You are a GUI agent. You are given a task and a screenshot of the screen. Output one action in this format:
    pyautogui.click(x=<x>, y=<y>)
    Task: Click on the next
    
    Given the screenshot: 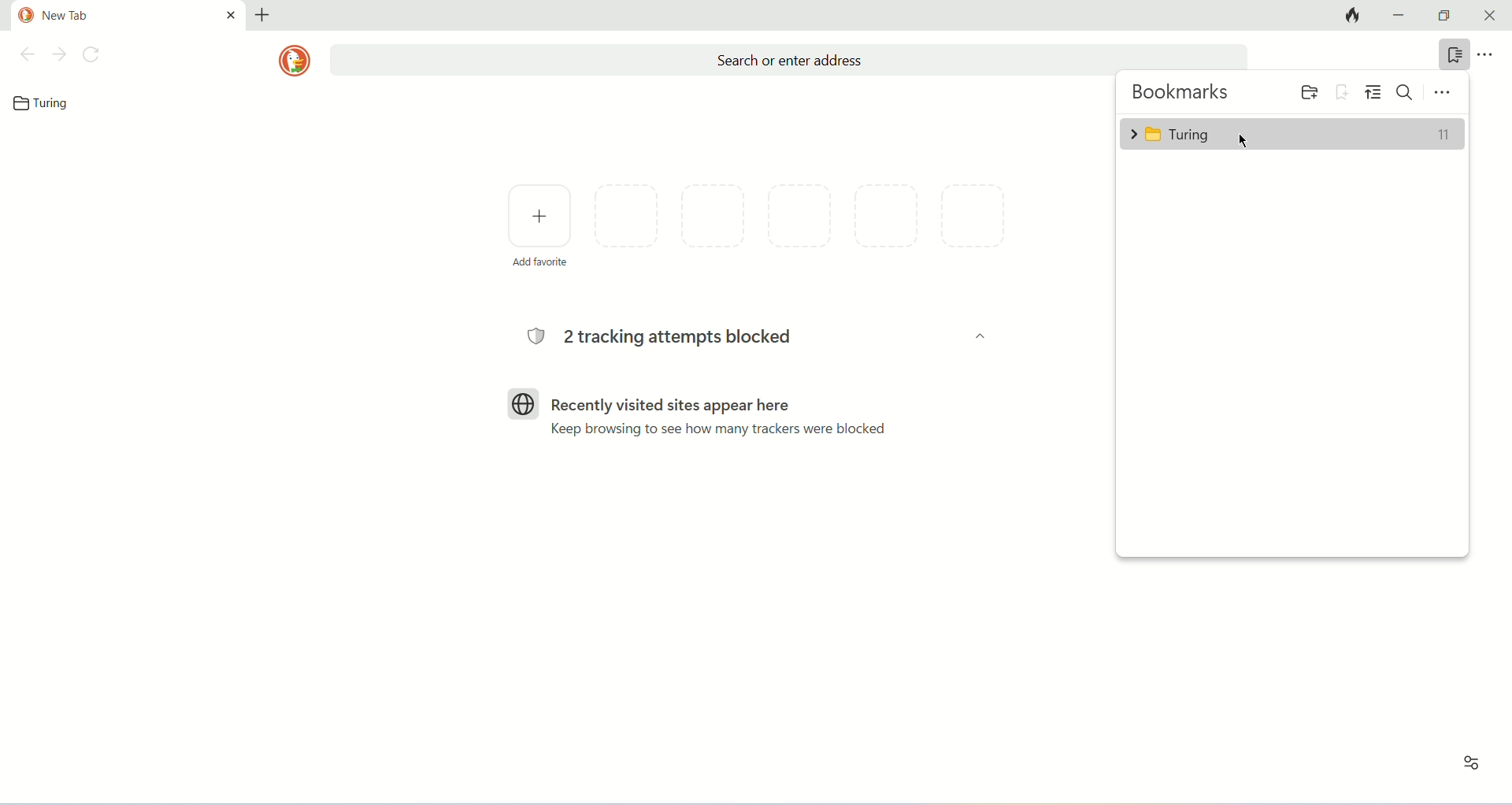 What is the action you would take?
    pyautogui.click(x=60, y=54)
    